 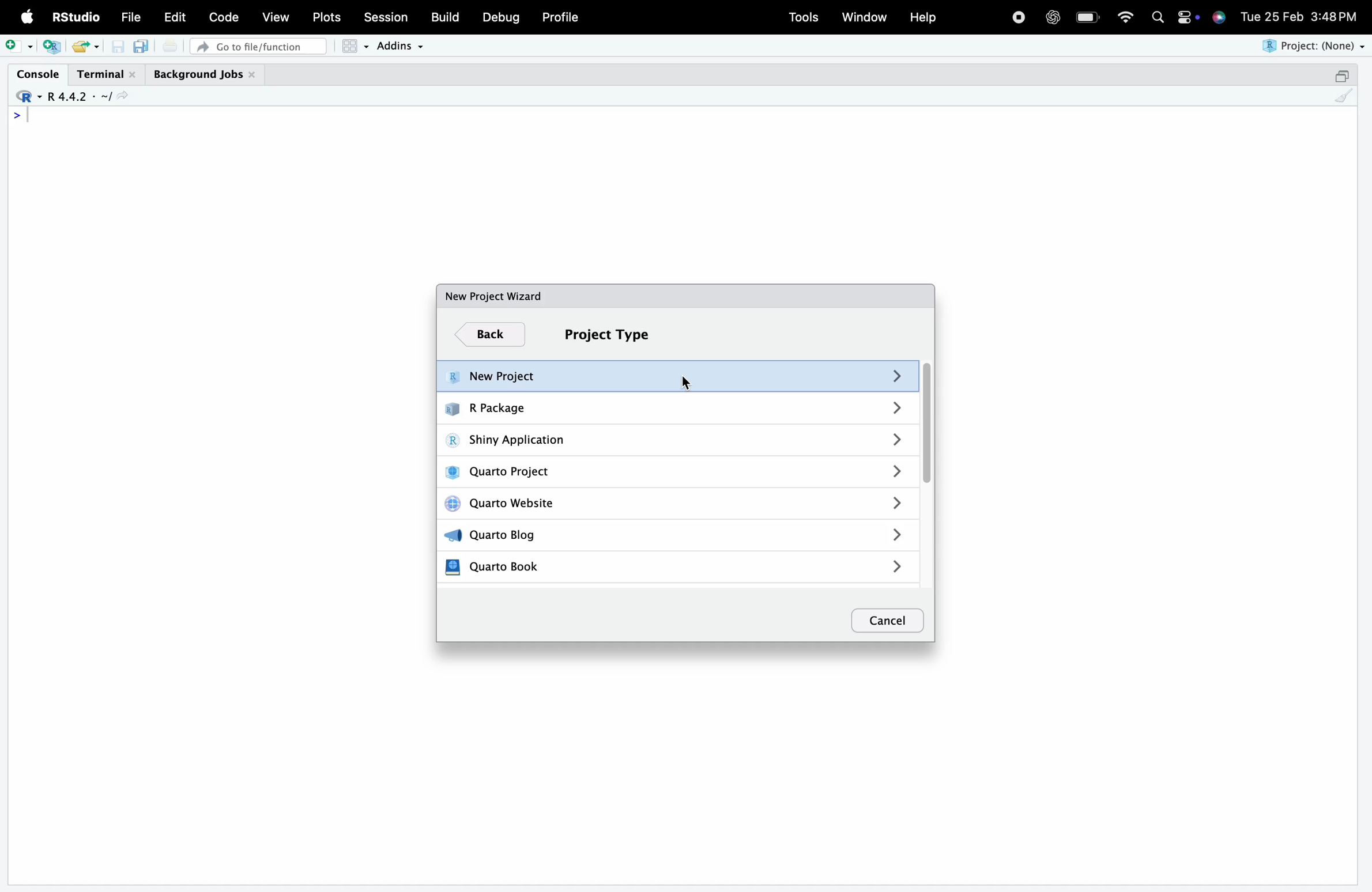 I want to click on create a project, so click(x=52, y=47).